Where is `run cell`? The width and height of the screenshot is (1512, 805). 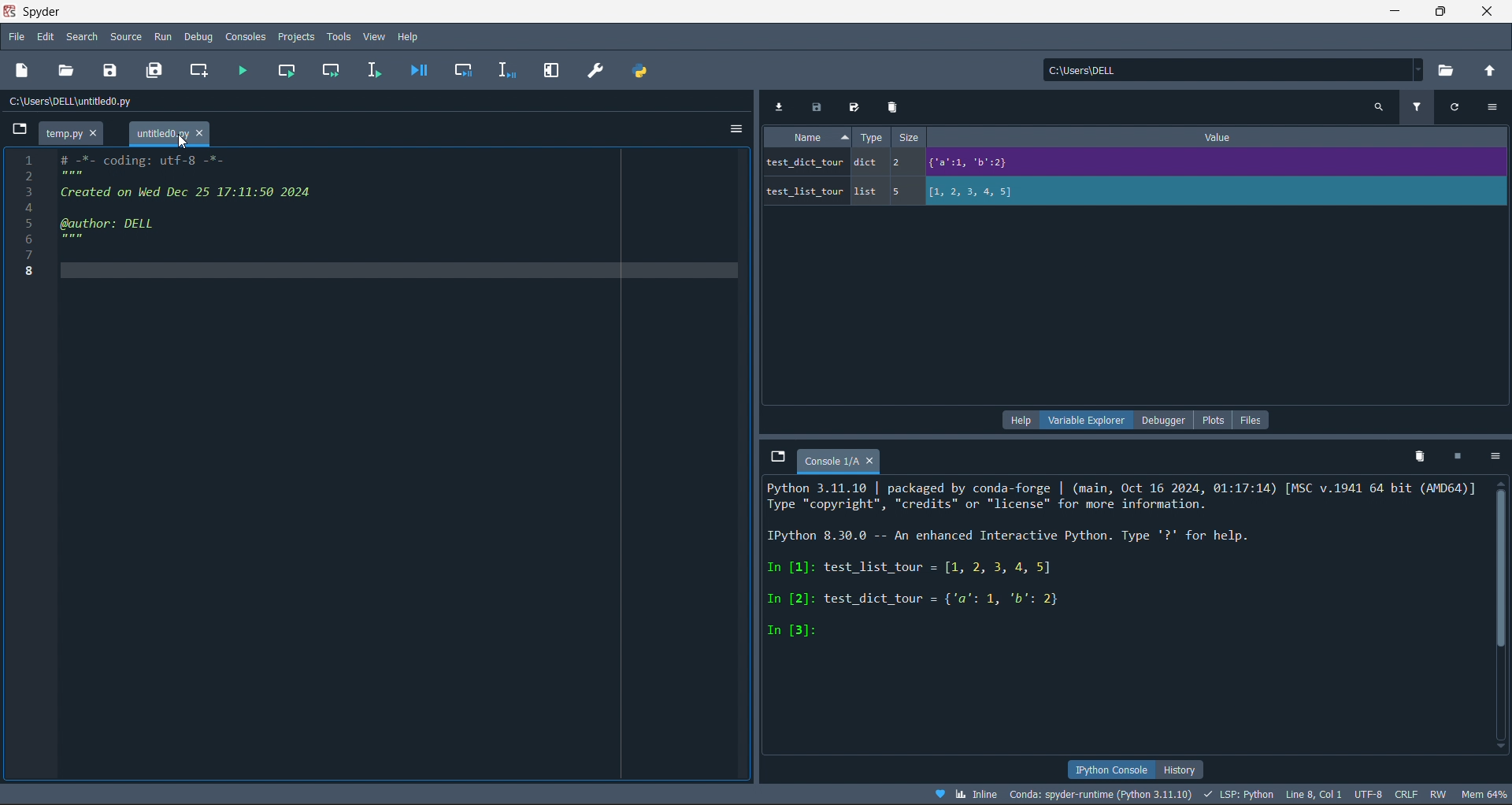 run cell is located at coordinates (286, 69).